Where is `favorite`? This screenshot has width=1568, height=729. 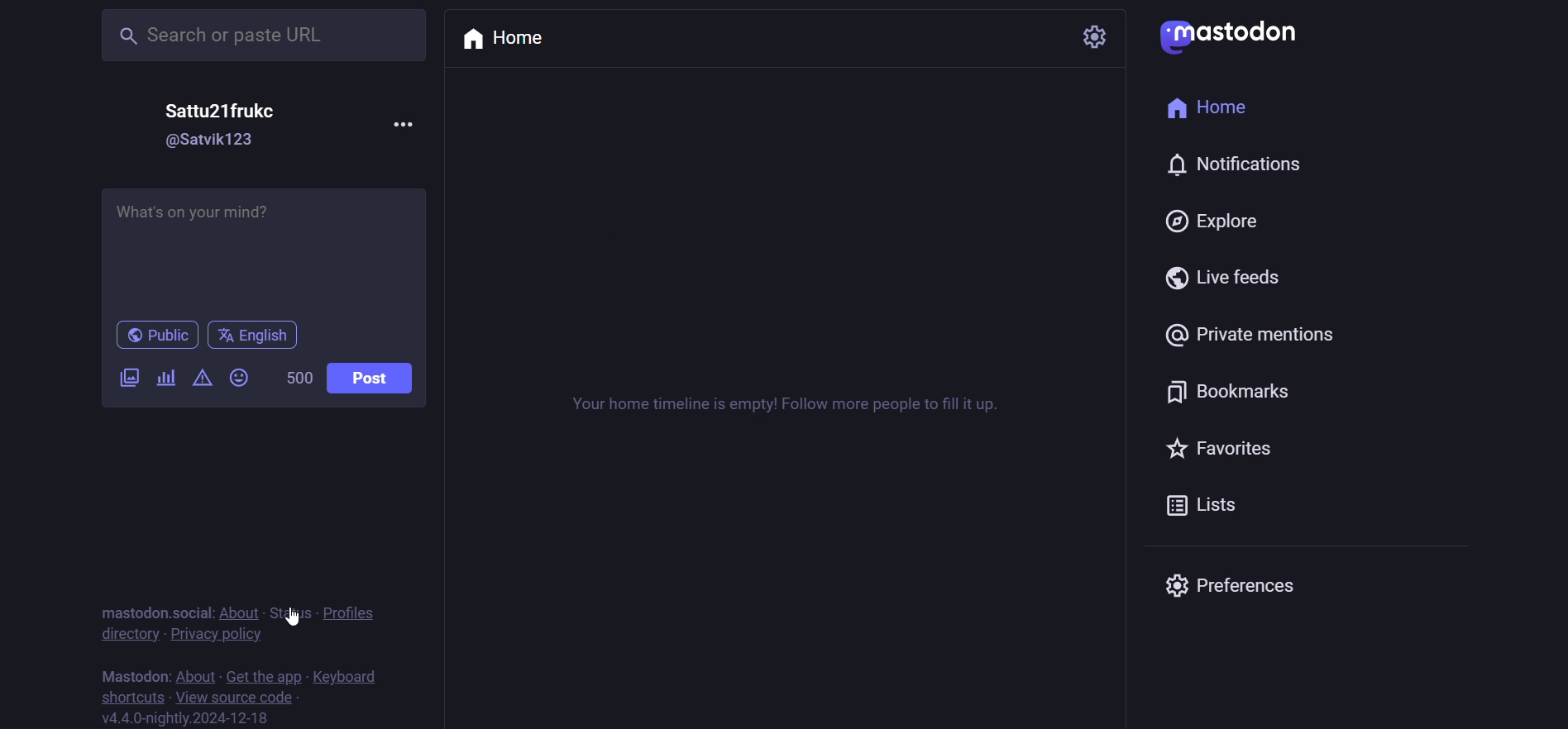
favorite is located at coordinates (1219, 450).